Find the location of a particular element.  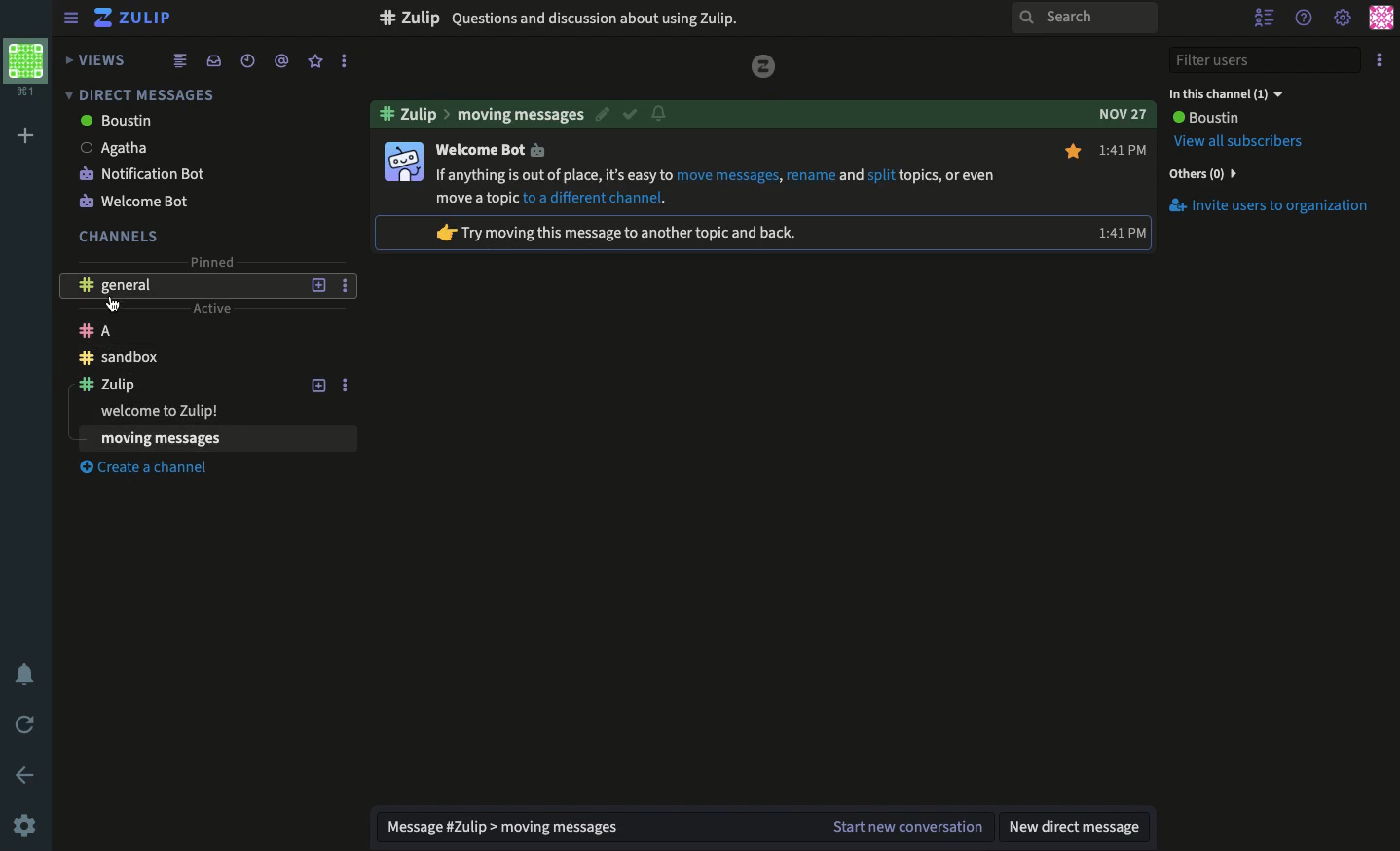

Edit is located at coordinates (603, 113).